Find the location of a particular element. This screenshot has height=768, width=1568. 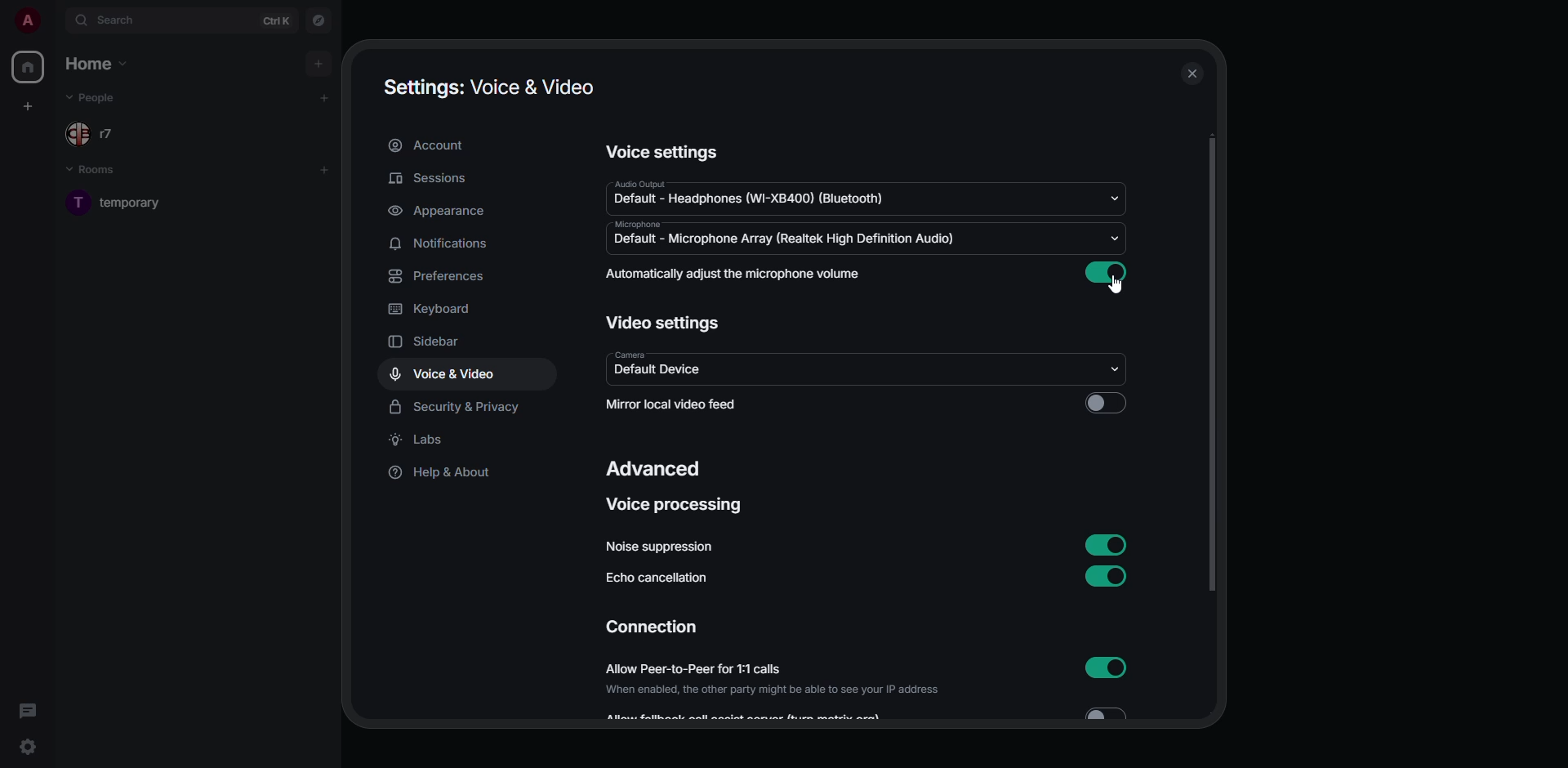

labs is located at coordinates (420, 440).